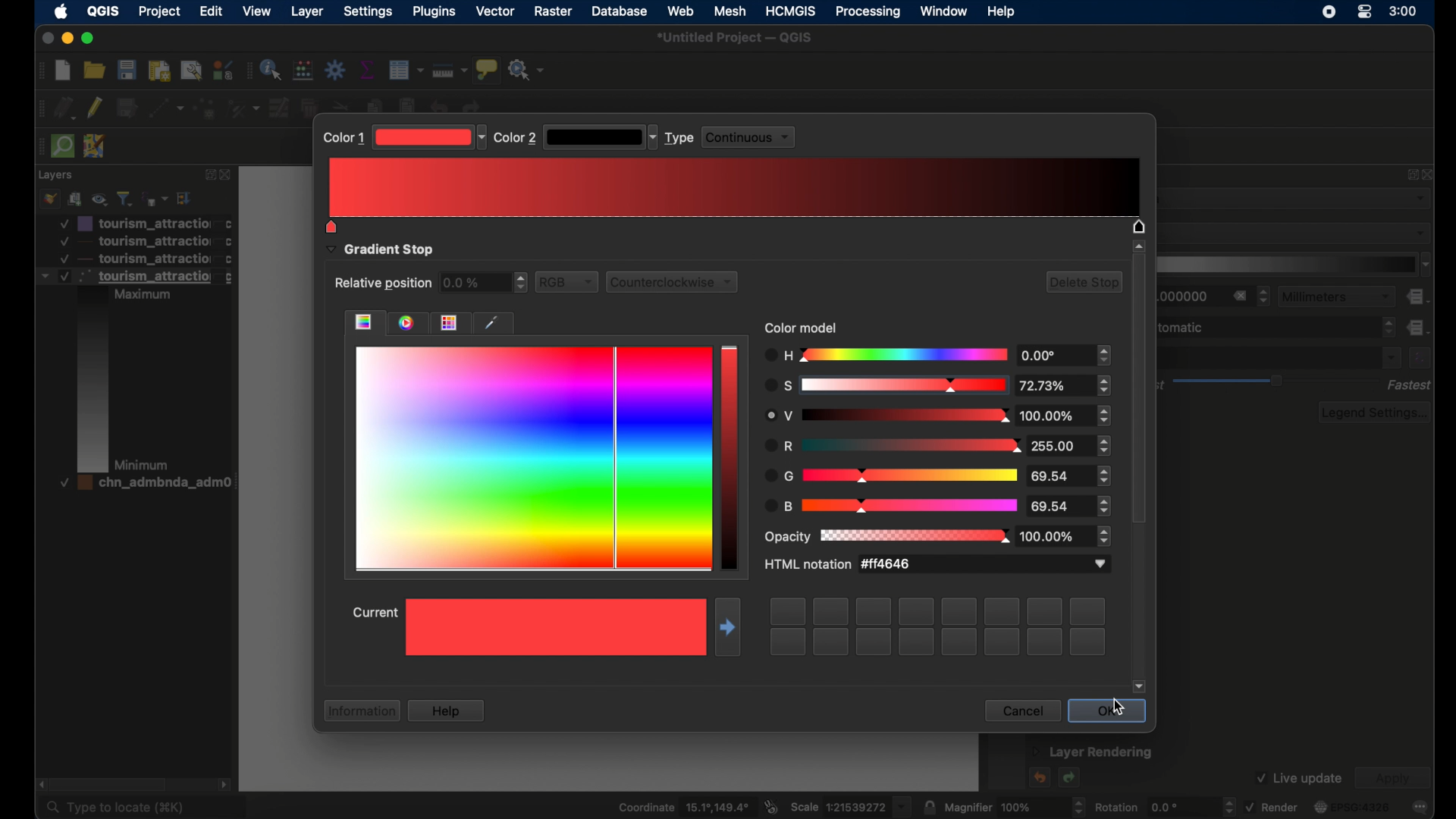  I want to click on G, so click(774, 476).